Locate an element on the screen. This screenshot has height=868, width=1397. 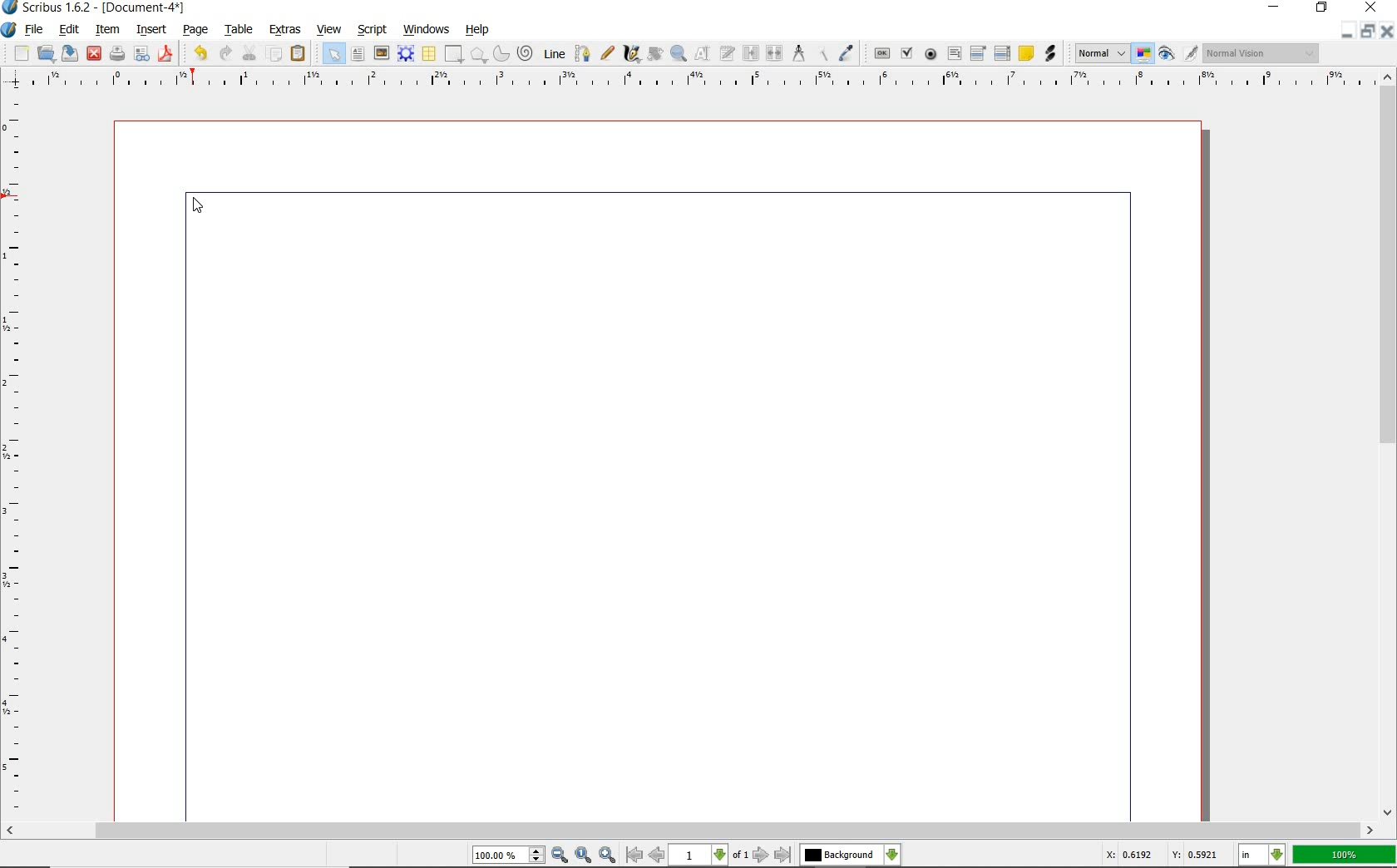
ruler is located at coordinates (701, 79).